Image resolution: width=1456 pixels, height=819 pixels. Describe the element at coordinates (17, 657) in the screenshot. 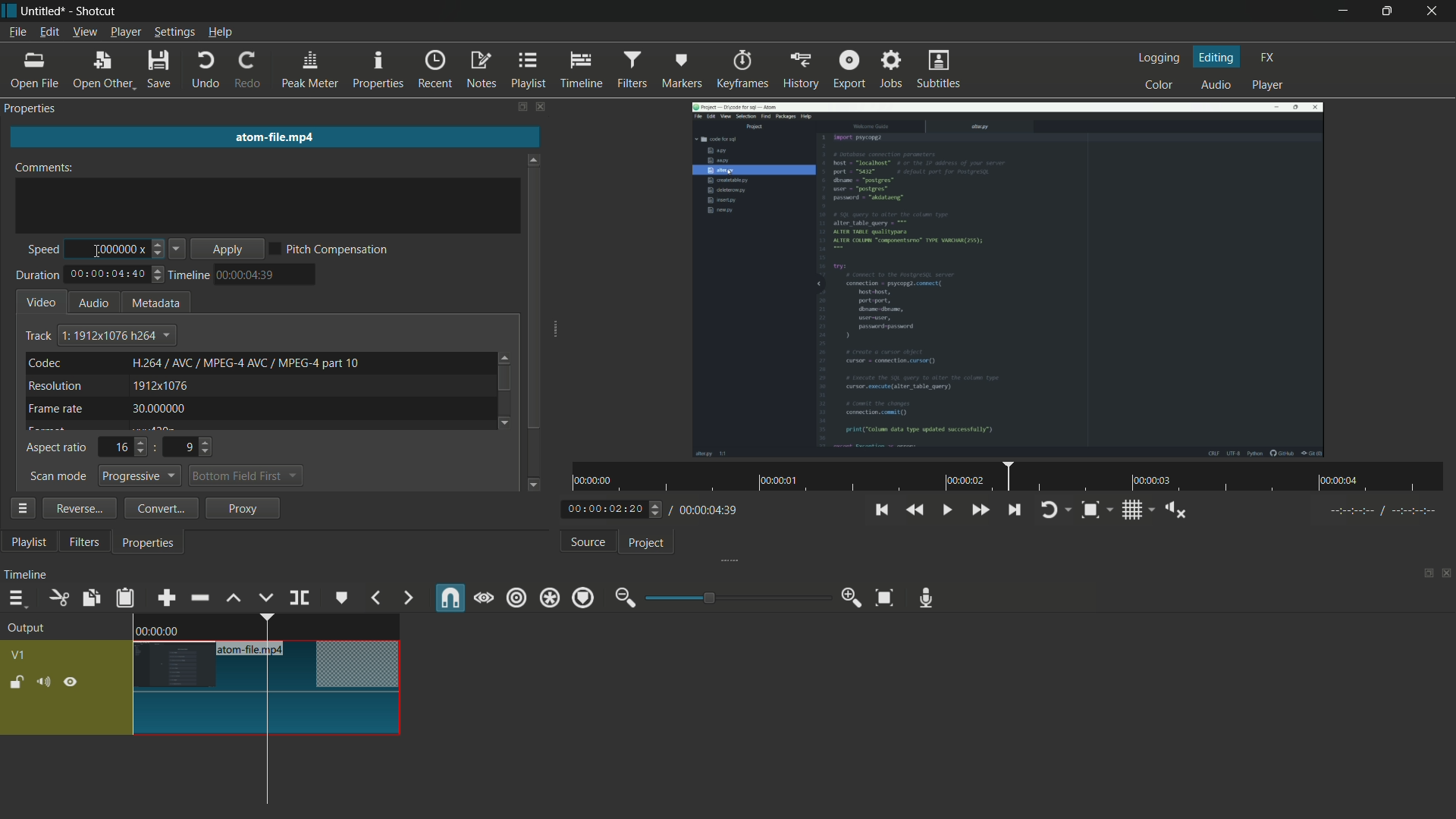

I see `v1` at that location.